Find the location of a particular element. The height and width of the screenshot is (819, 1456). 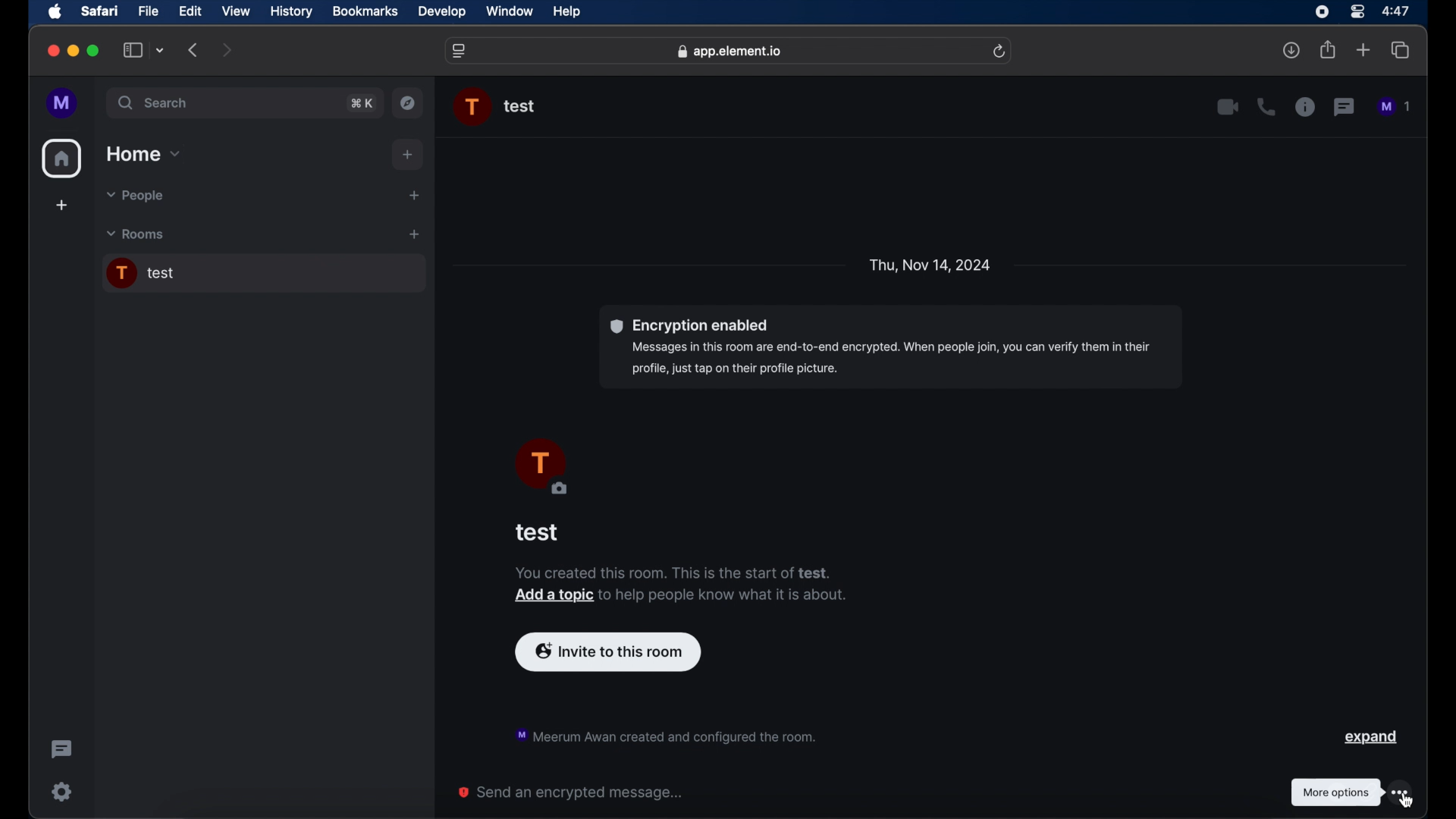

chat properties is located at coordinates (1305, 108).